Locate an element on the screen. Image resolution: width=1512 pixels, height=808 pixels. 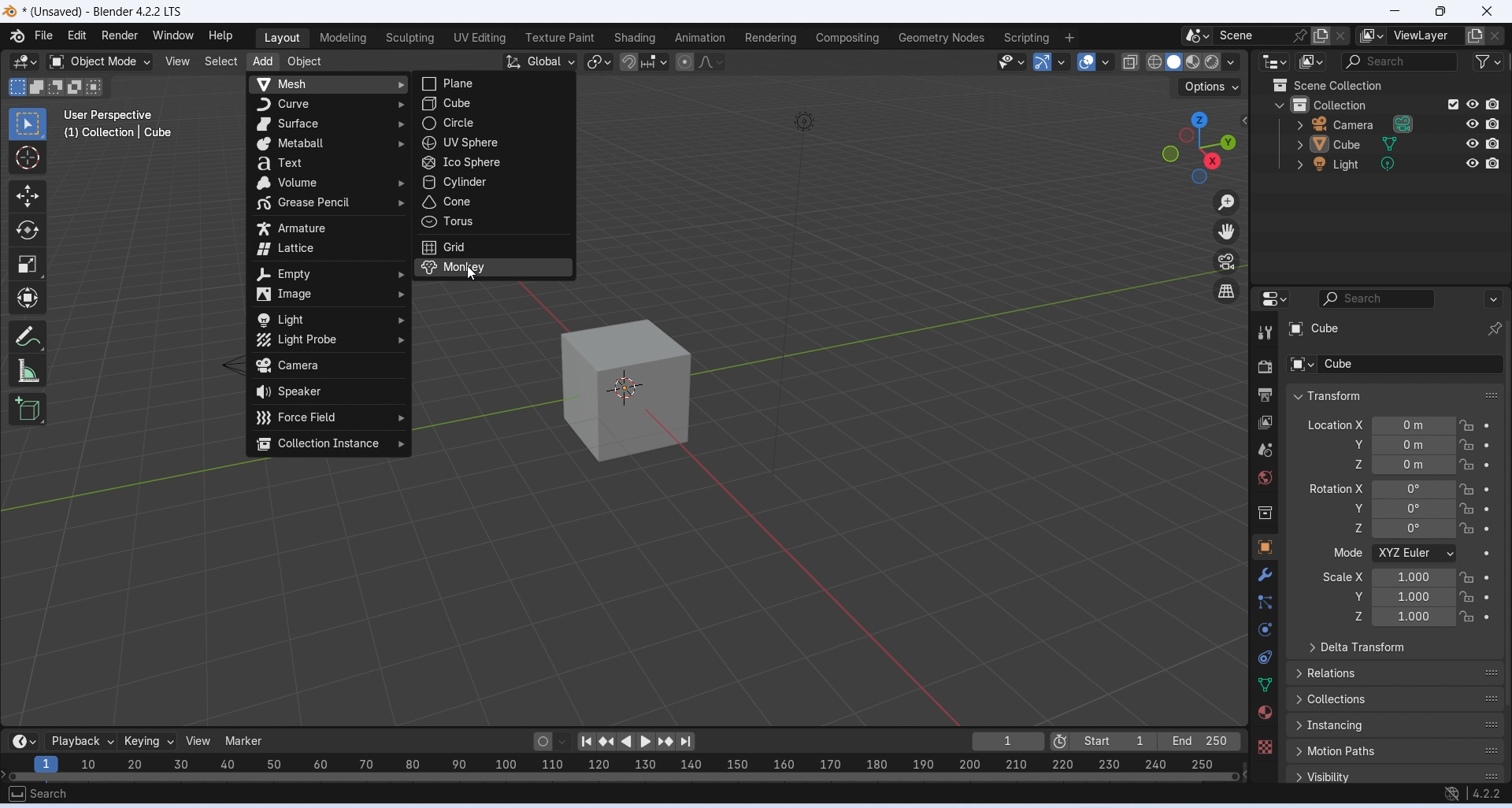
(1) Collection | Cube is located at coordinates (120, 132).